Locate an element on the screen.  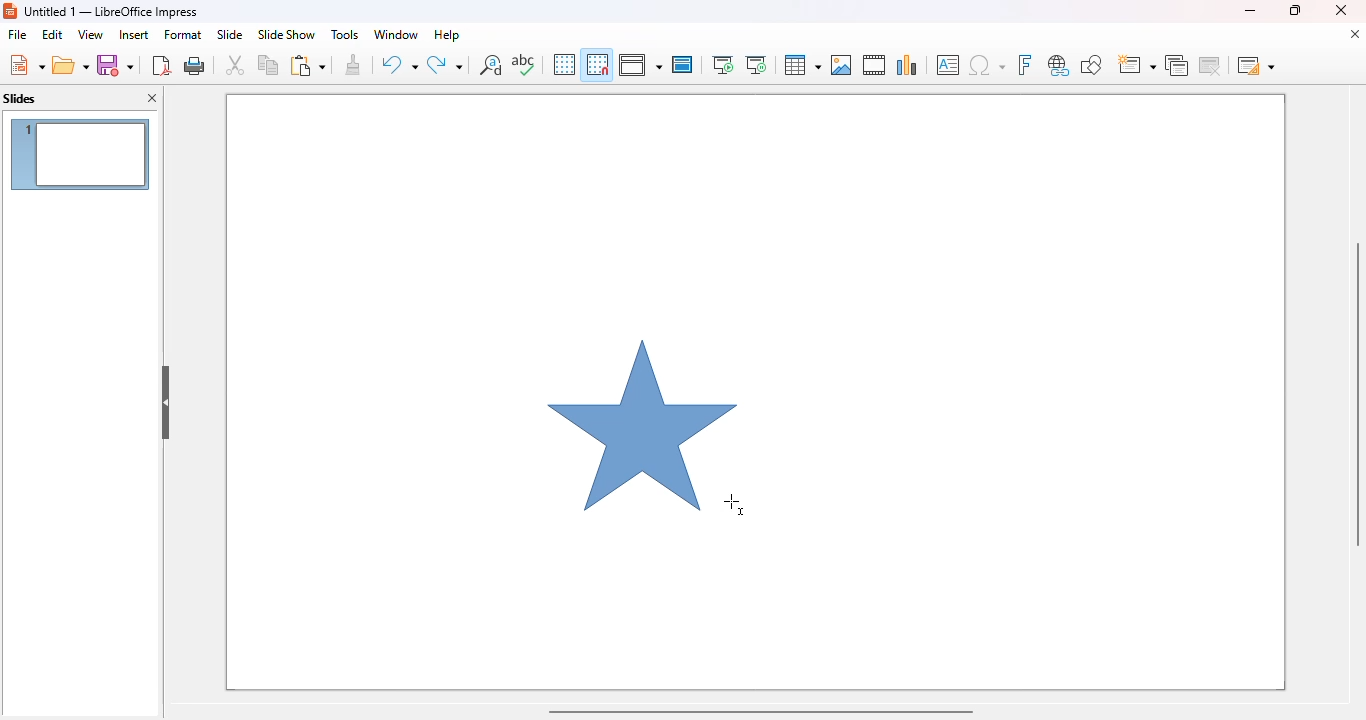
horizontal scroll bar is located at coordinates (759, 710).